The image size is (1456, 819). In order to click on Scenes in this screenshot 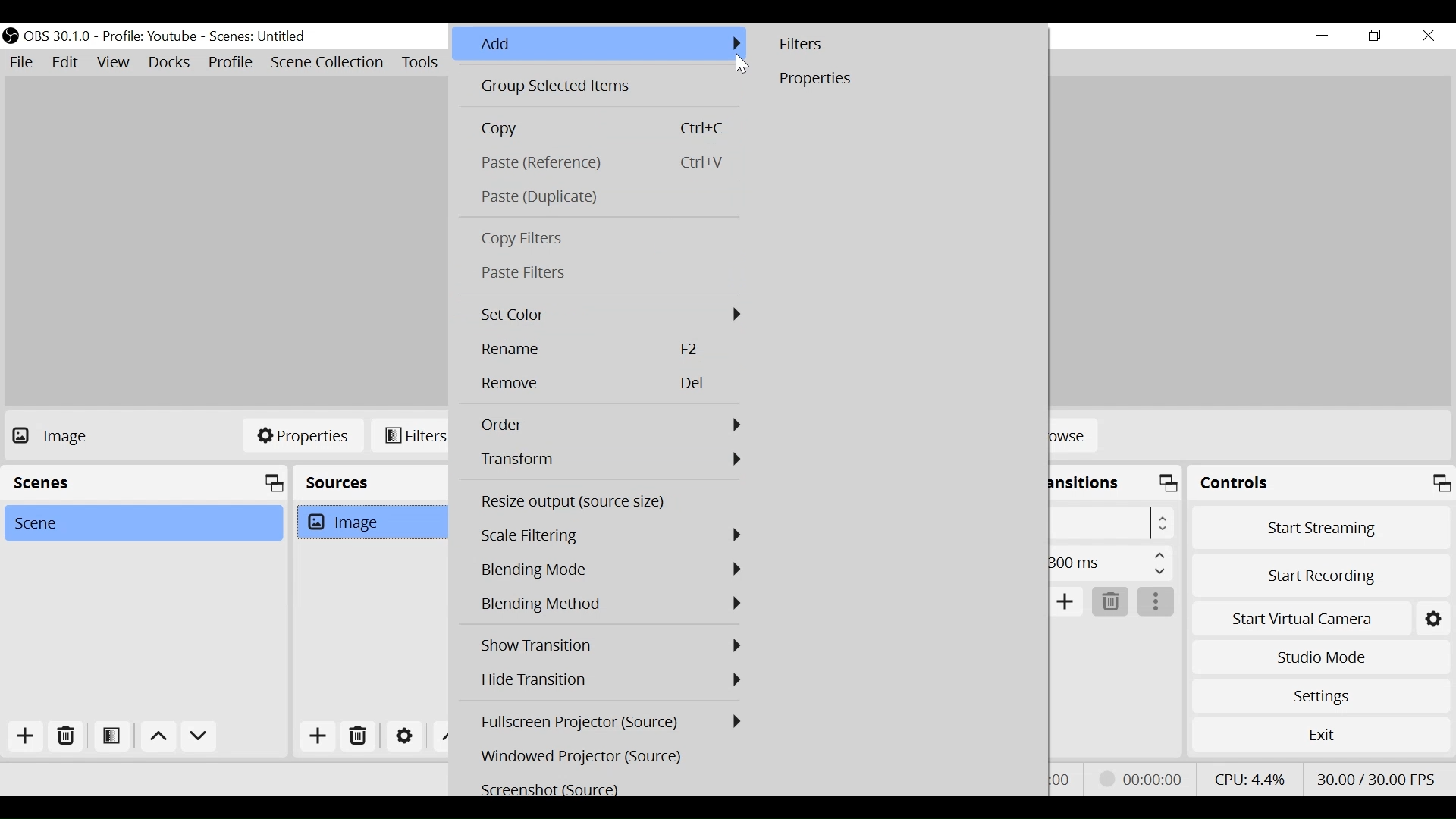, I will do `click(146, 484)`.